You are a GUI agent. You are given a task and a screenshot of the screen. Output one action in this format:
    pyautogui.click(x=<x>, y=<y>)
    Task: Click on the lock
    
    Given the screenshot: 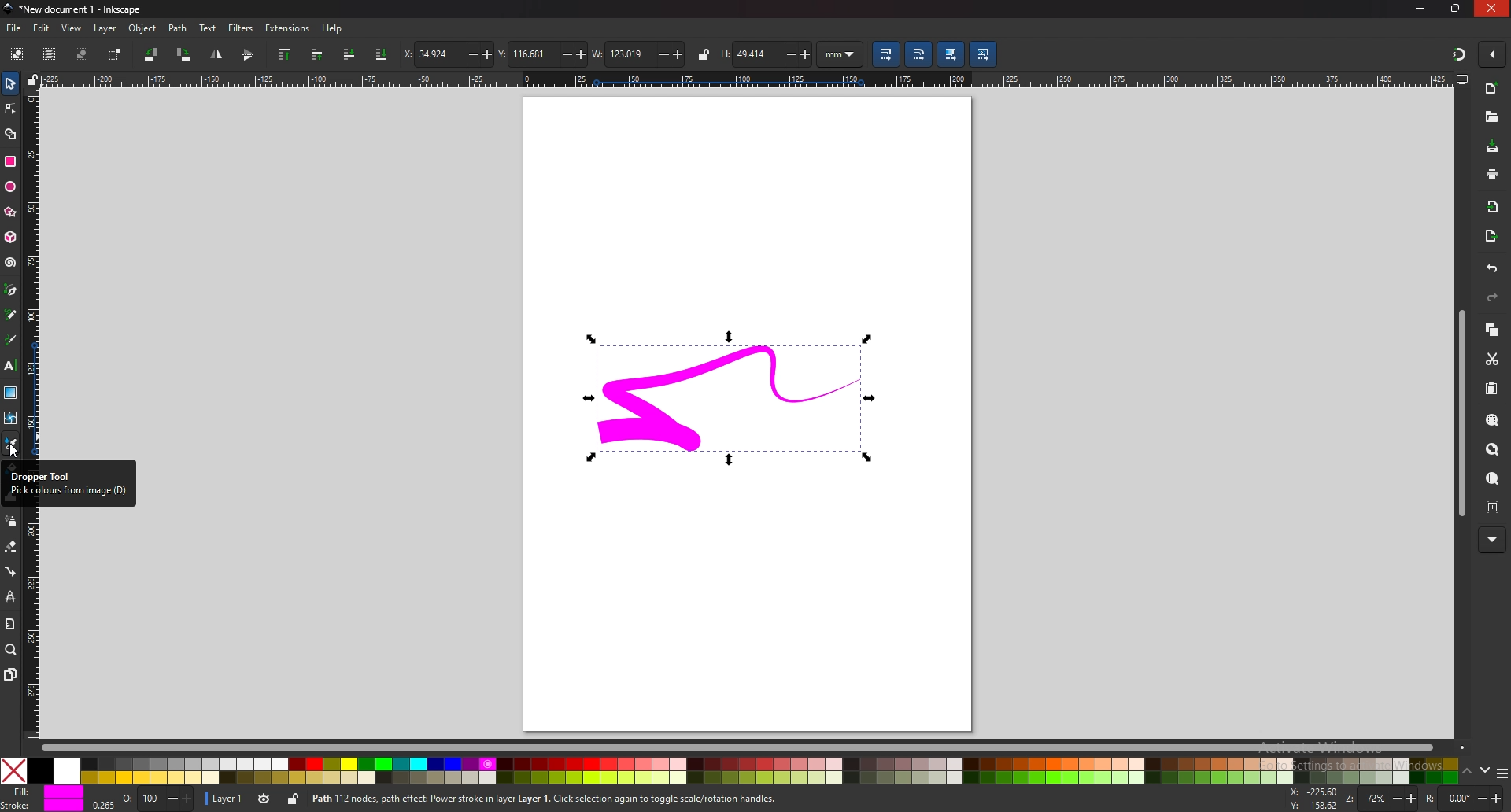 What is the action you would take?
    pyautogui.click(x=294, y=799)
    